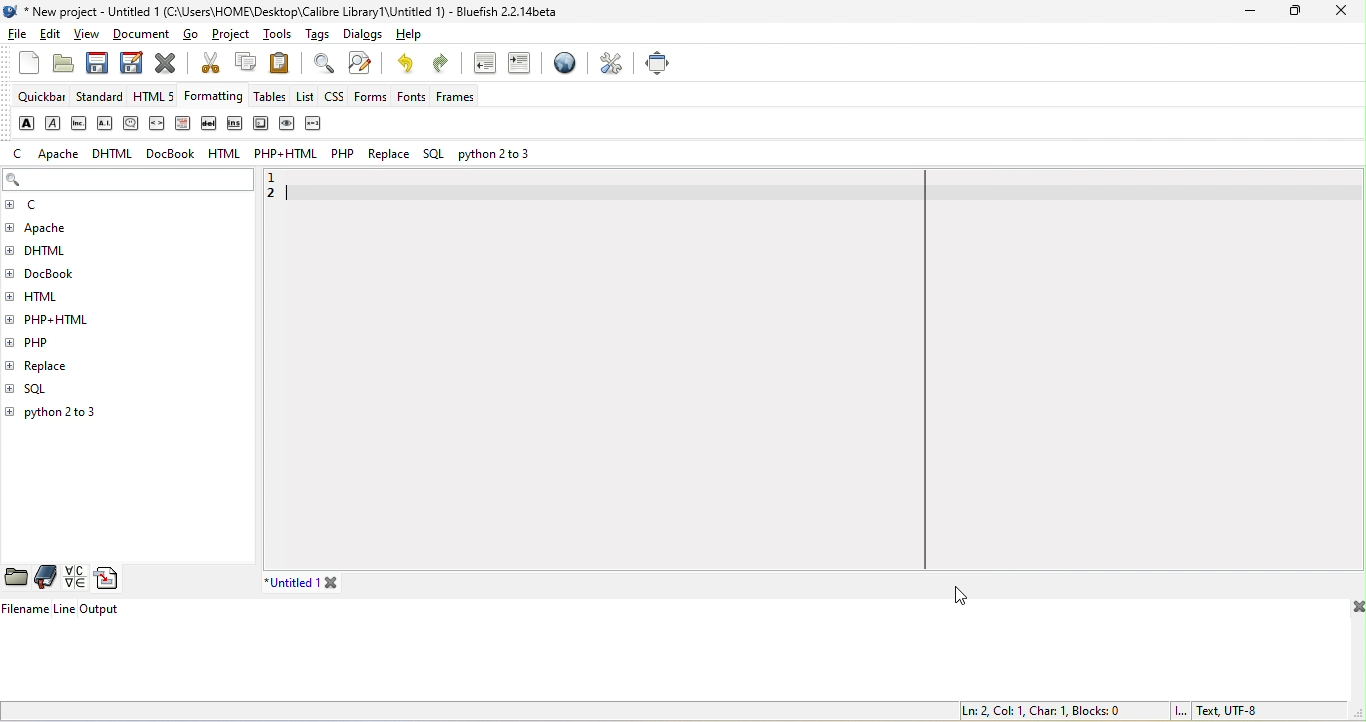 The width and height of the screenshot is (1366, 722). I want to click on php, so click(49, 341).